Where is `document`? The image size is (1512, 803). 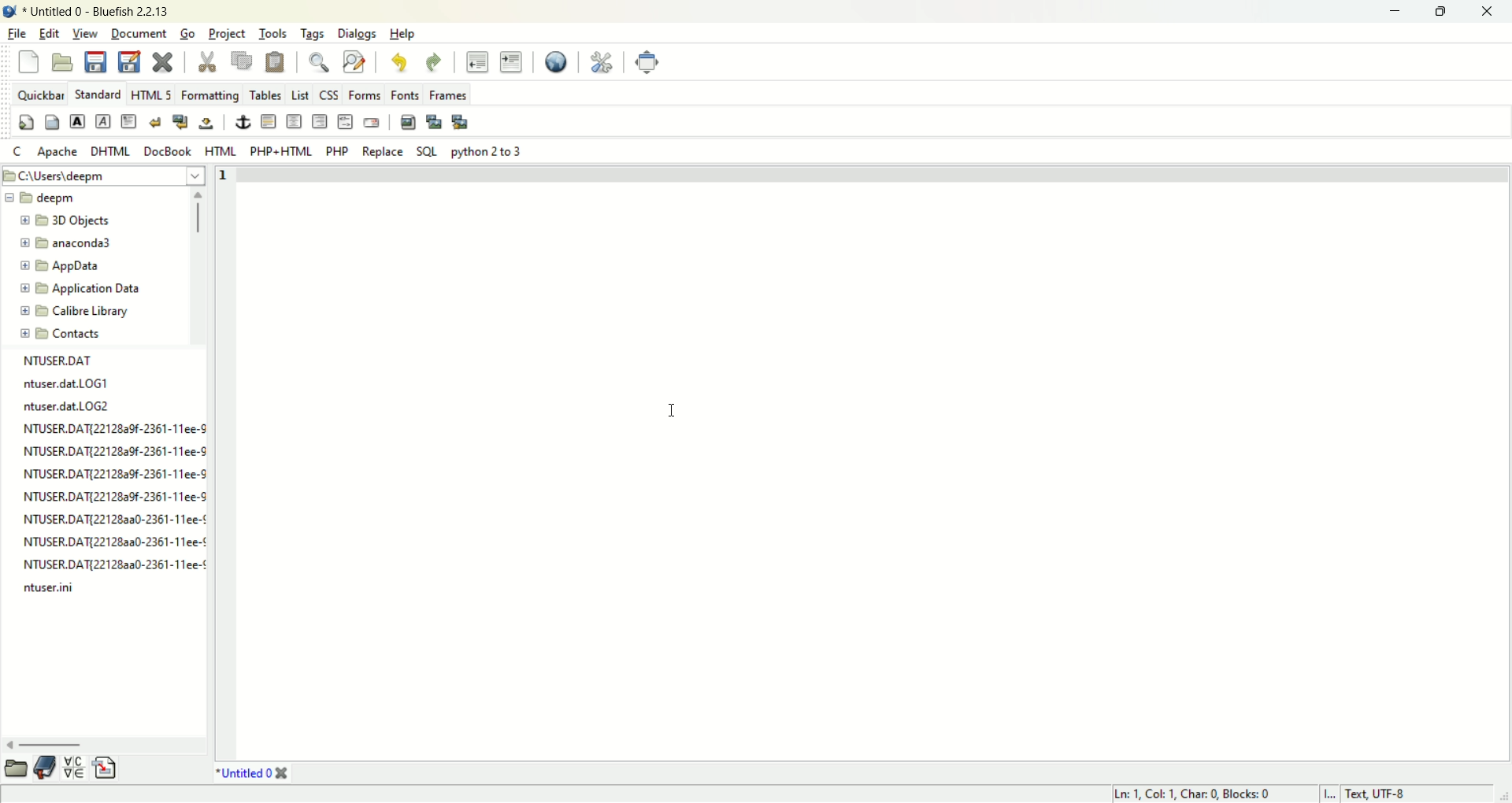 document is located at coordinates (139, 34).